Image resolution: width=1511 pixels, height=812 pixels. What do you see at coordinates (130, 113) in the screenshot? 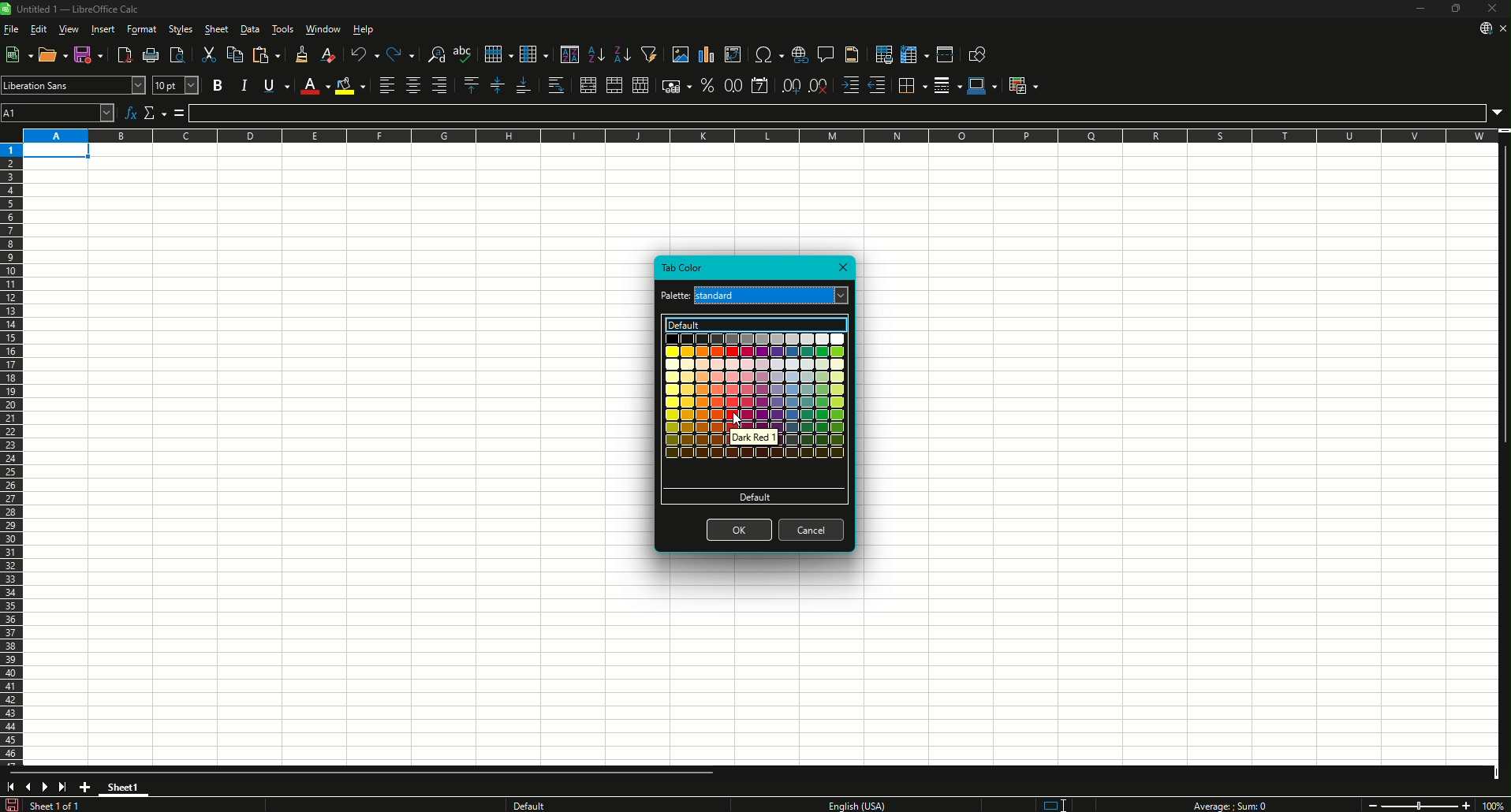
I see `Function Wizard` at bounding box center [130, 113].